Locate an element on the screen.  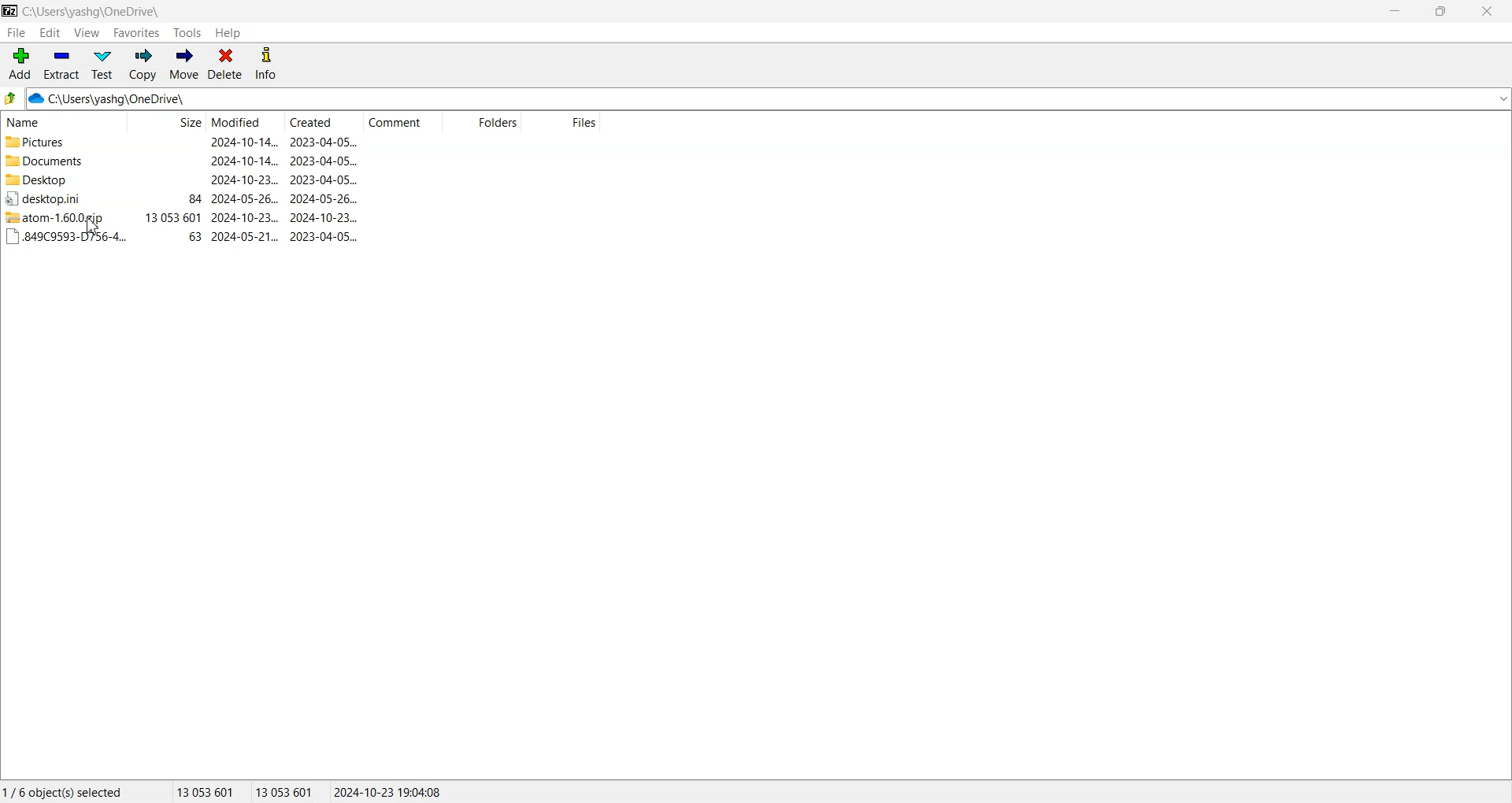
Maximize is located at coordinates (1440, 11).